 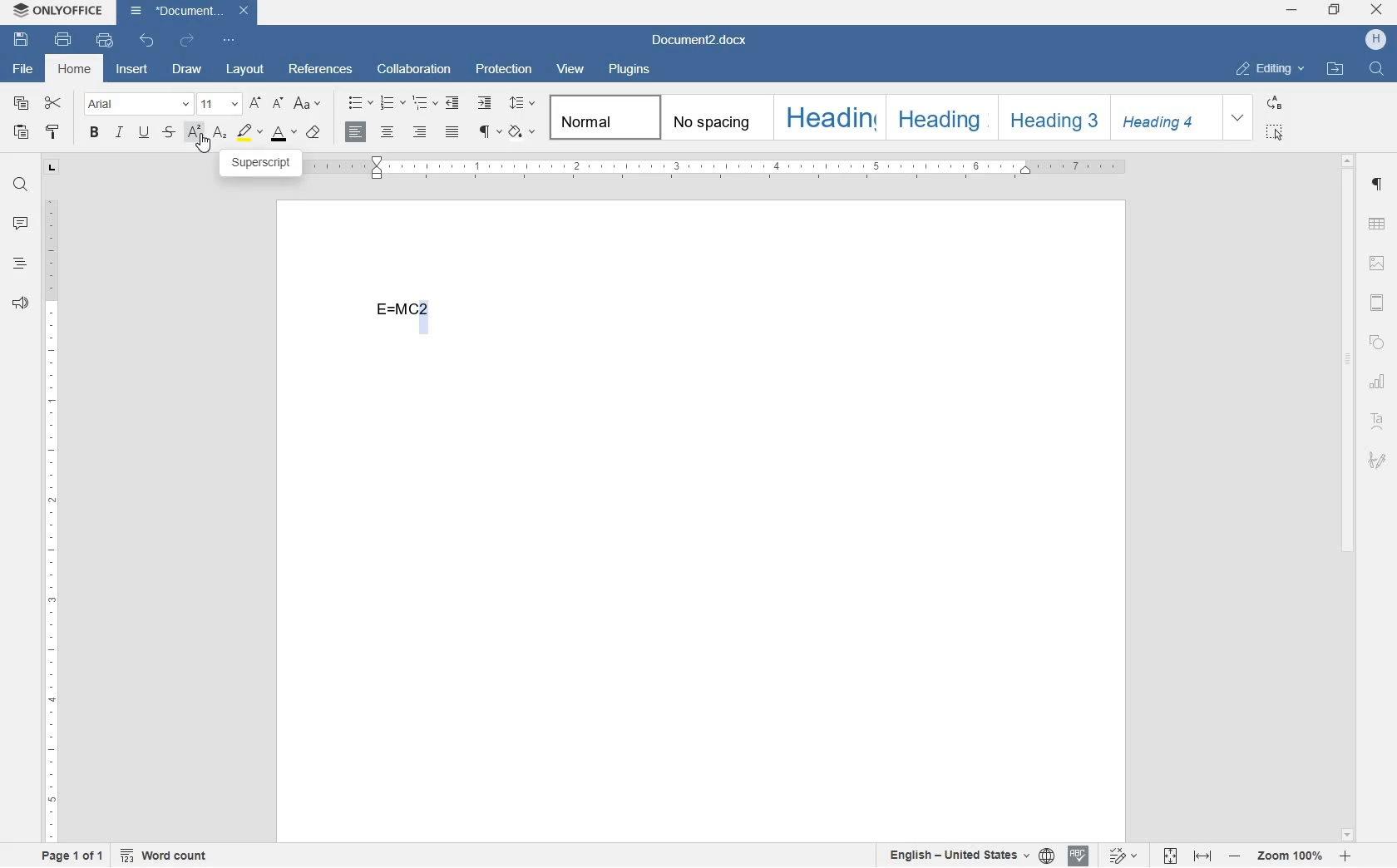 What do you see at coordinates (166, 856) in the screenshot?
I see `word count` at bounding box center [166, 856].